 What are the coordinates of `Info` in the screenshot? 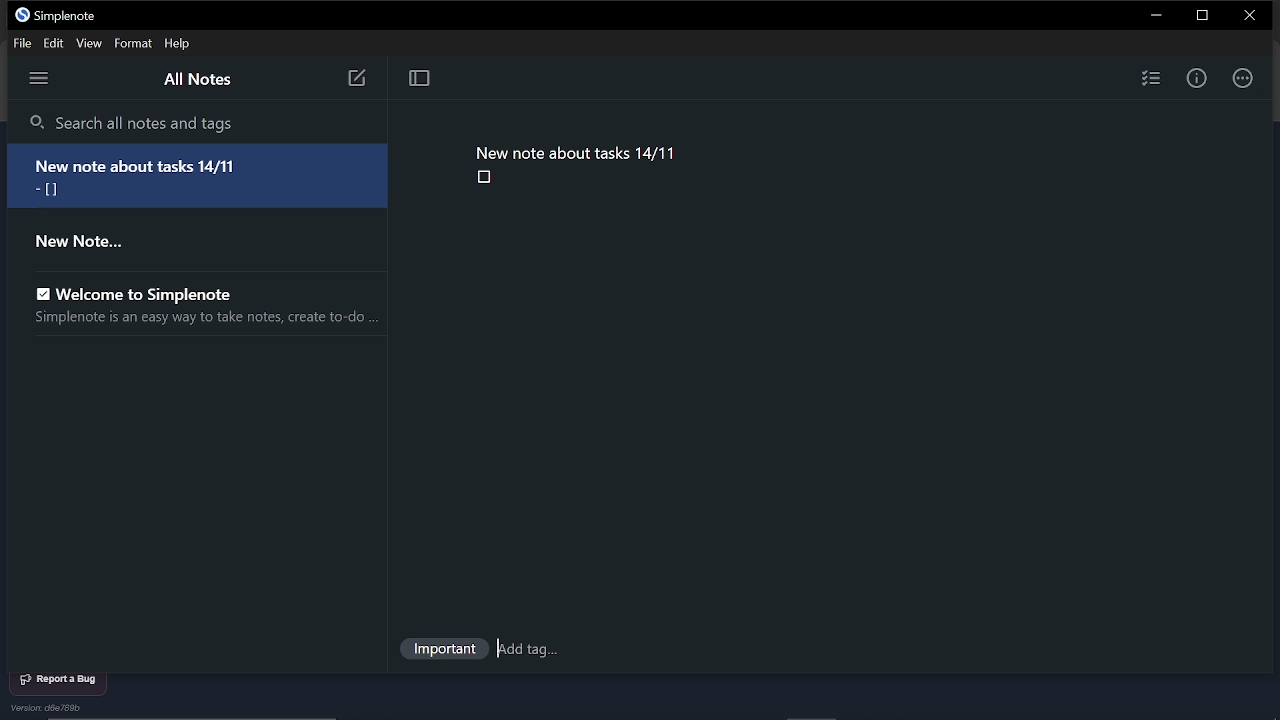 It's located at (1198, 77).